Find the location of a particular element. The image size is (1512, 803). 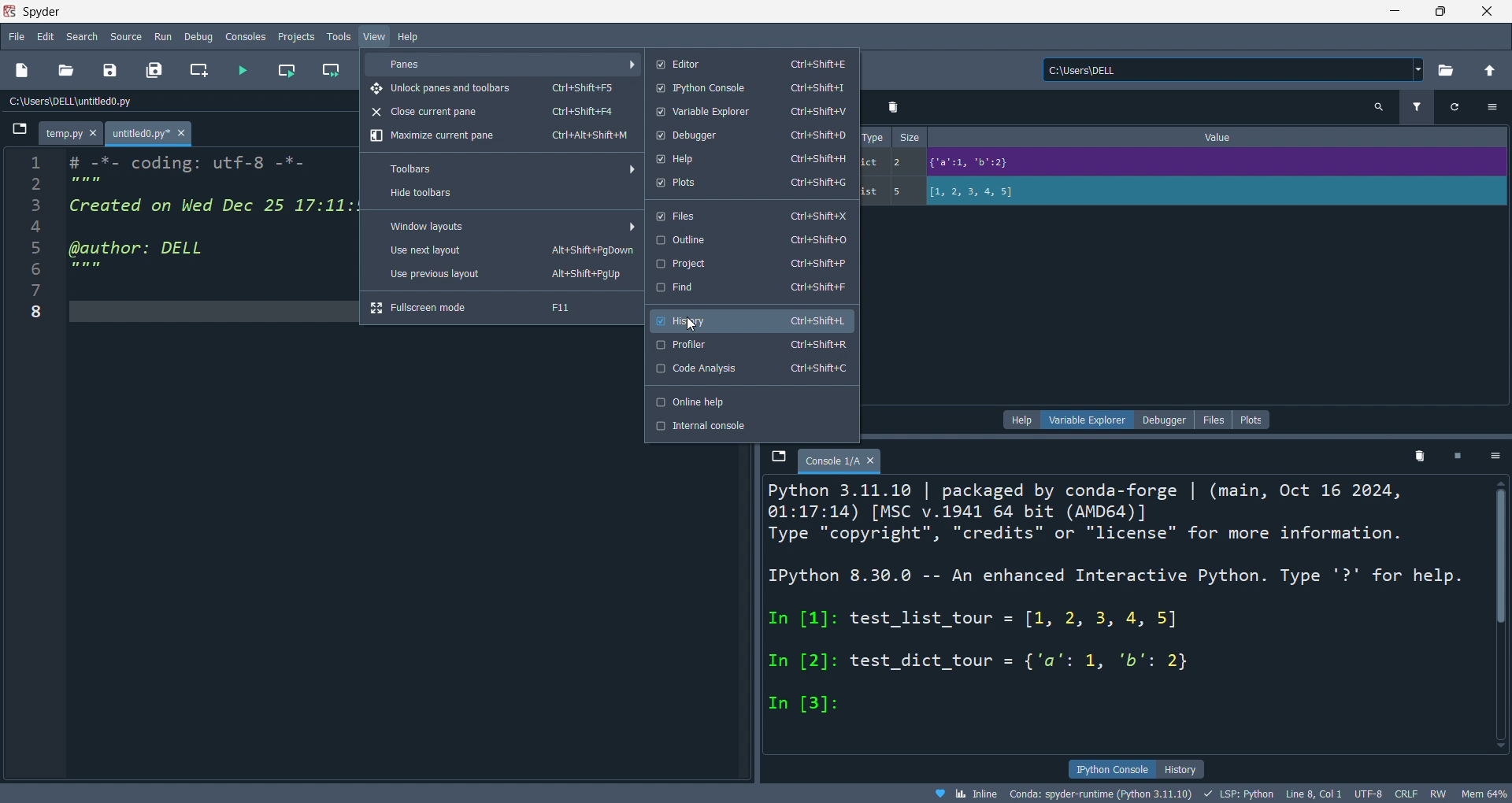

new file is located at coordinates (24, 71).